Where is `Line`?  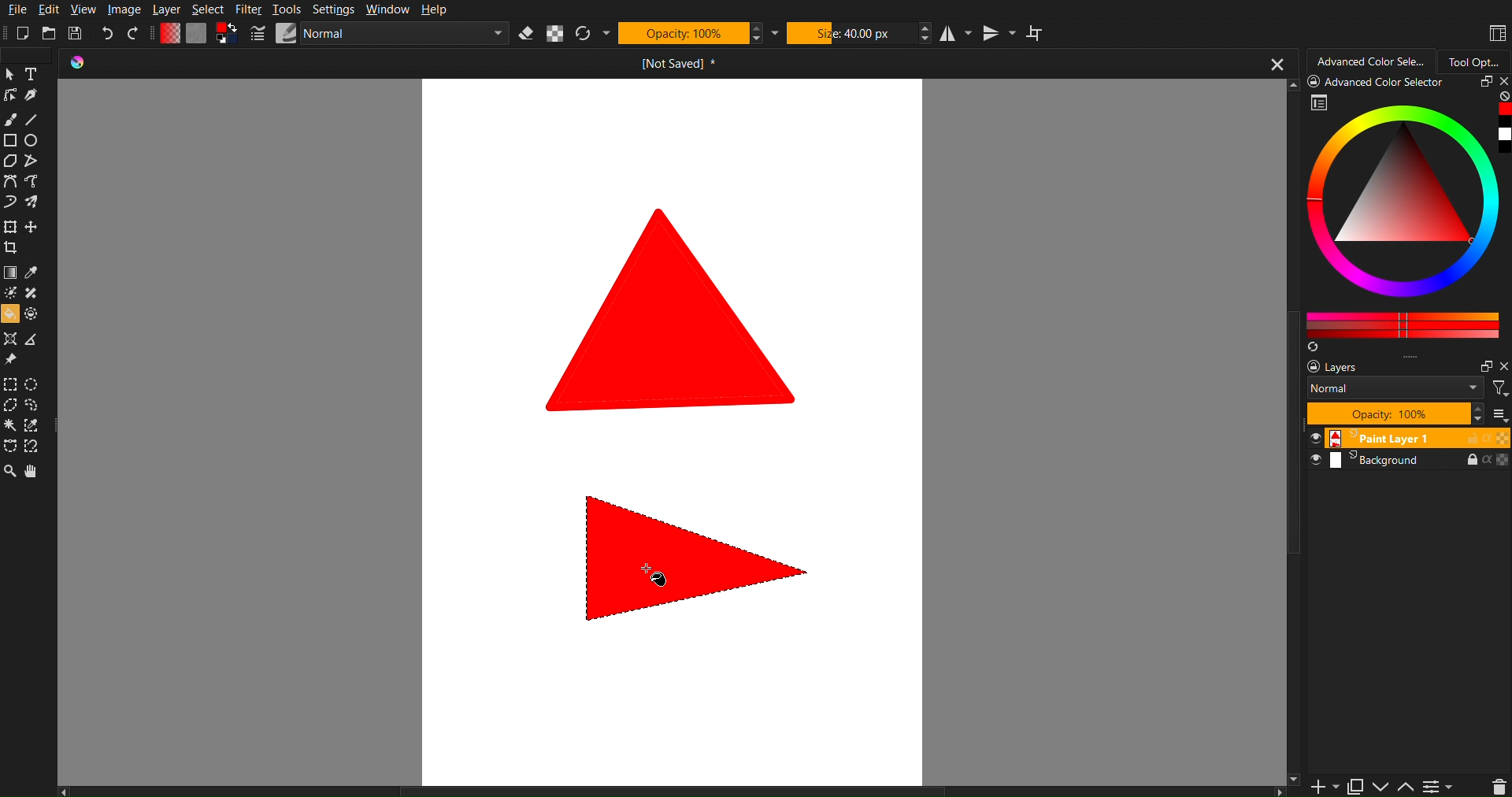 Line is located at coordinates (36, 120).